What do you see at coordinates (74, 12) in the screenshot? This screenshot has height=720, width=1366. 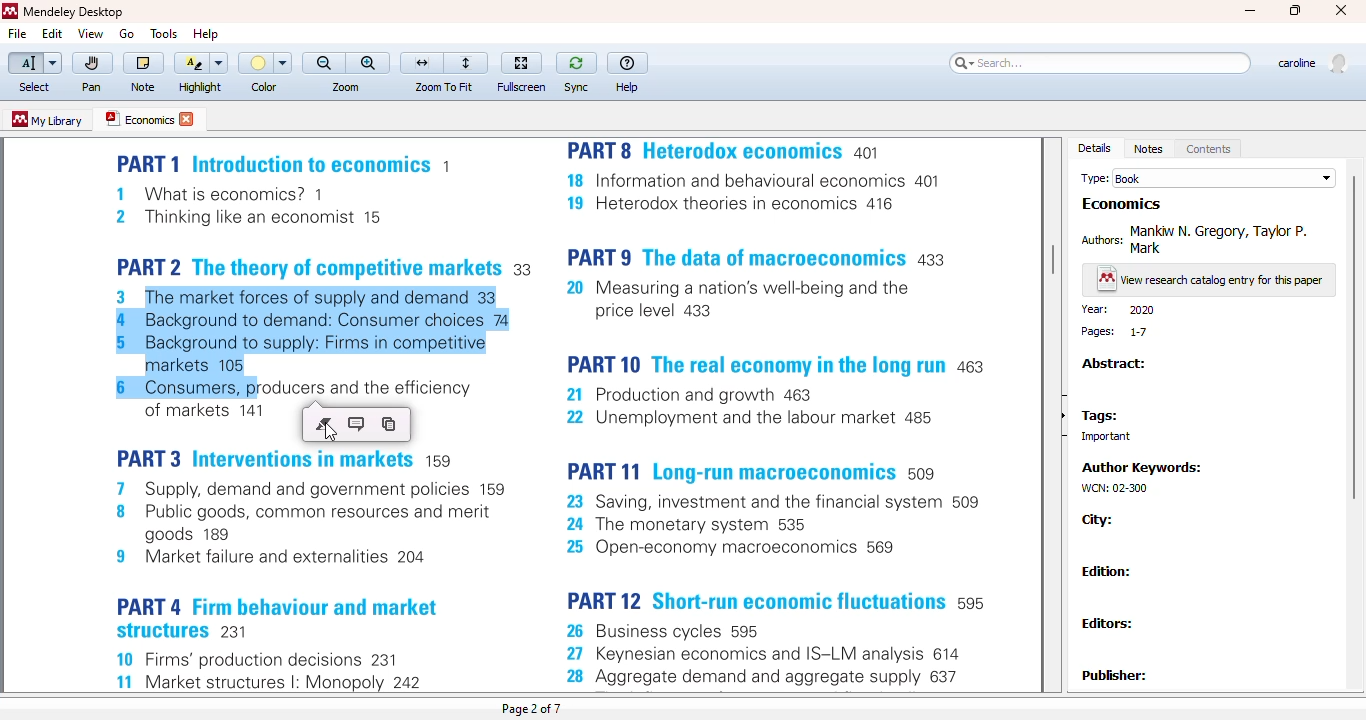 I see `mendeley desktop` at bounding box center [74, 12].